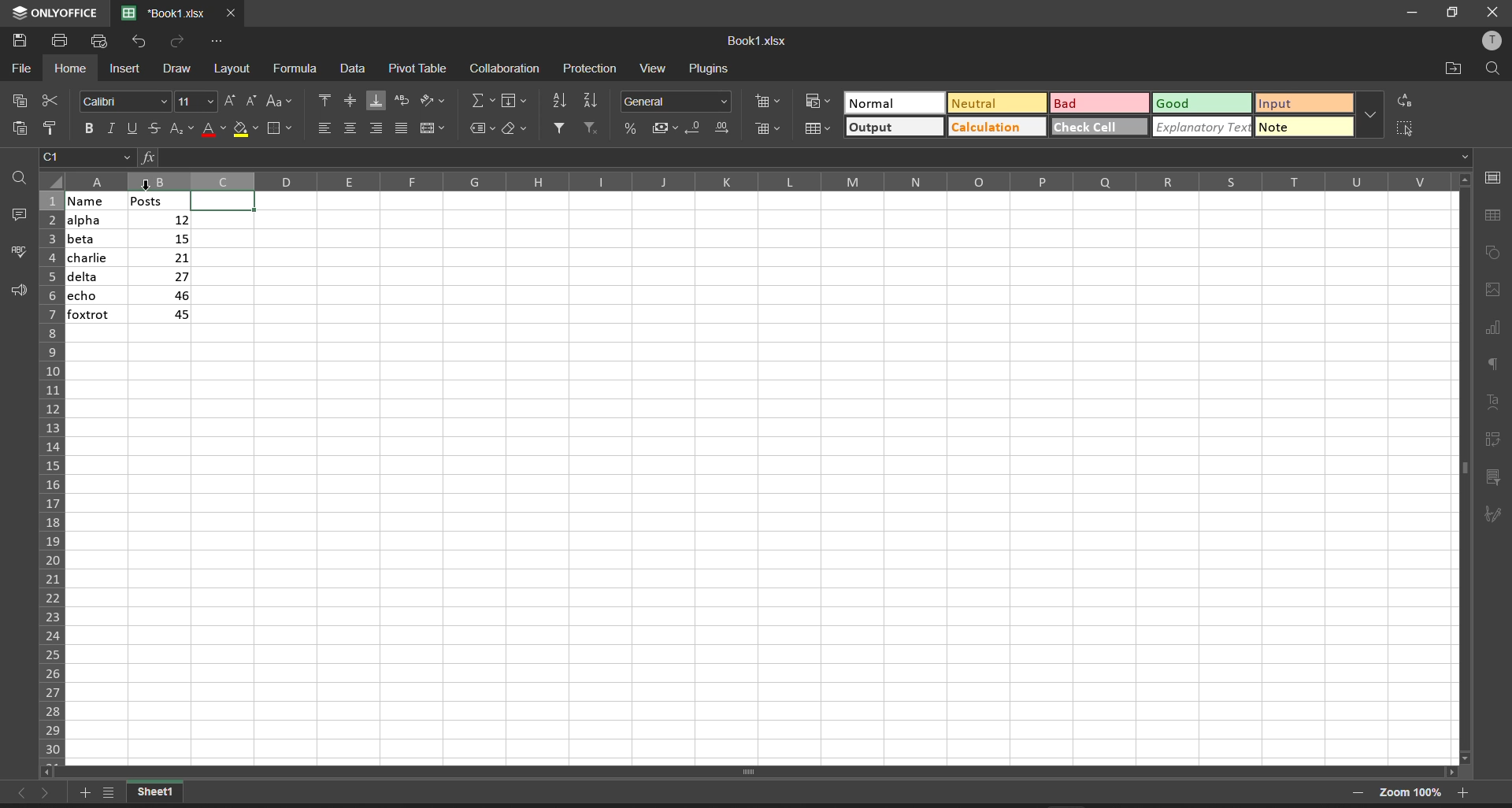  Describe the element at coordinates (1408, 98) in the screenshot. I see `replace` at that location.